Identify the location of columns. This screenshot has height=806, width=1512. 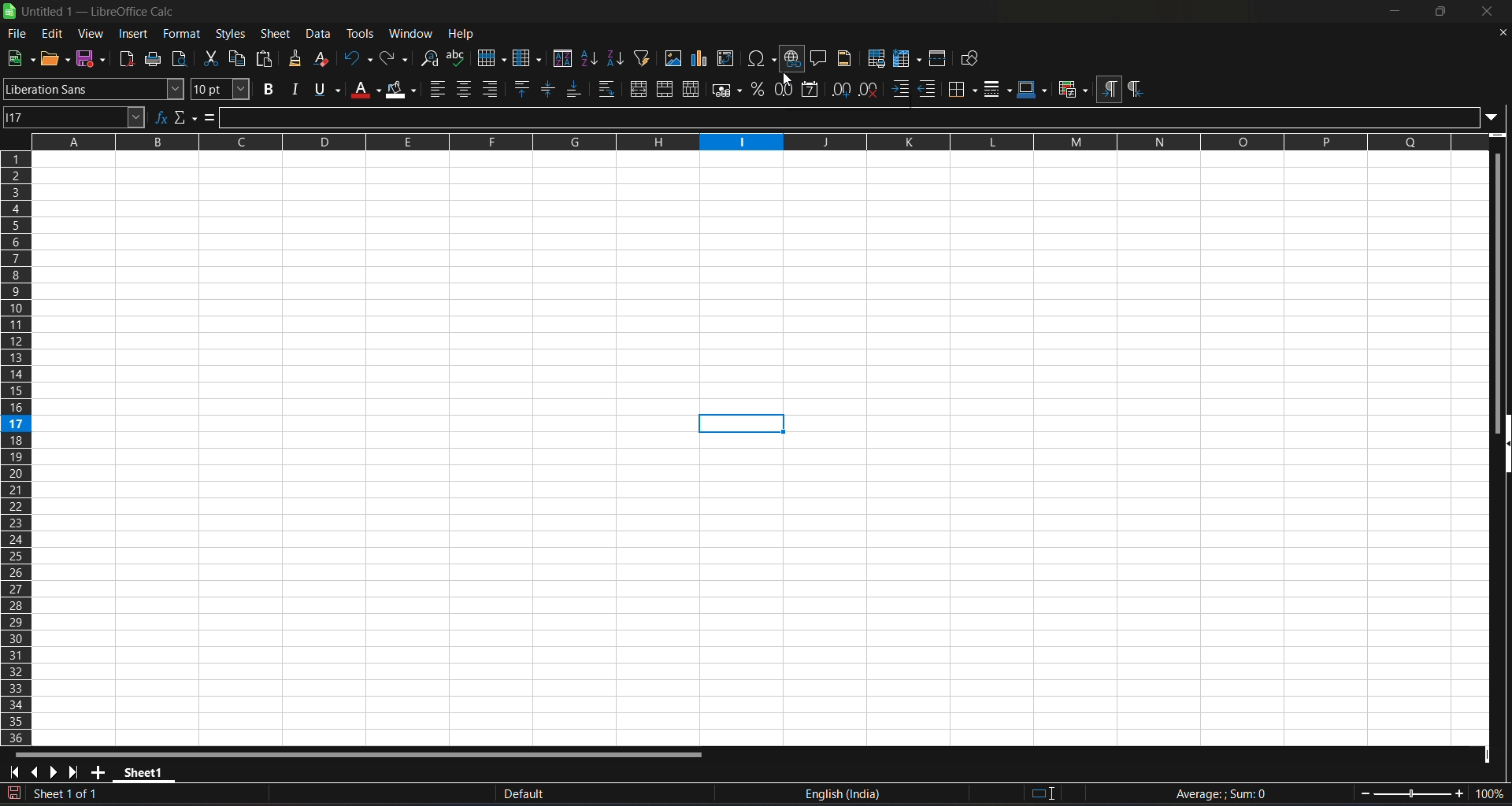
(17, 449).